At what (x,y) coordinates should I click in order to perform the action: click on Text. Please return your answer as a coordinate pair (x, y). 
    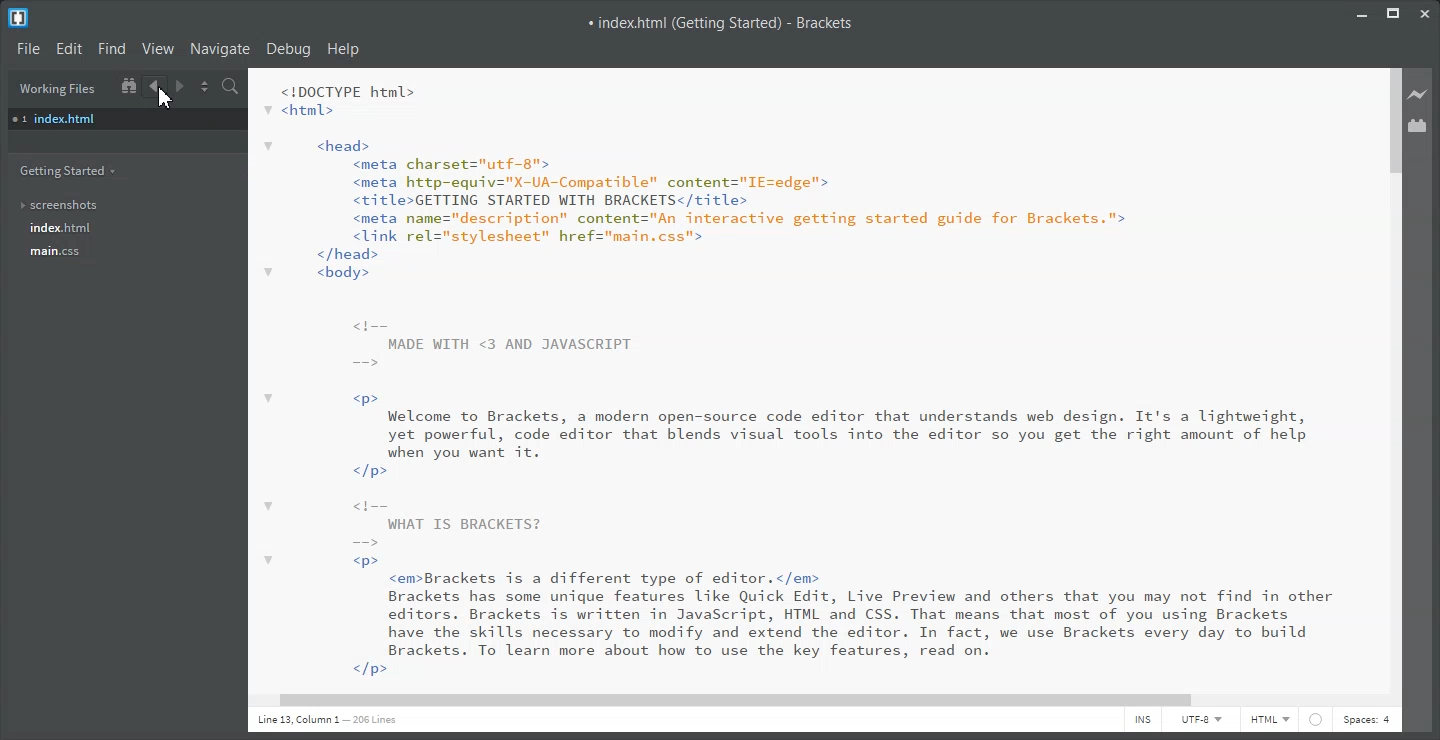
    Looking at the image, I should click on (332, 720).